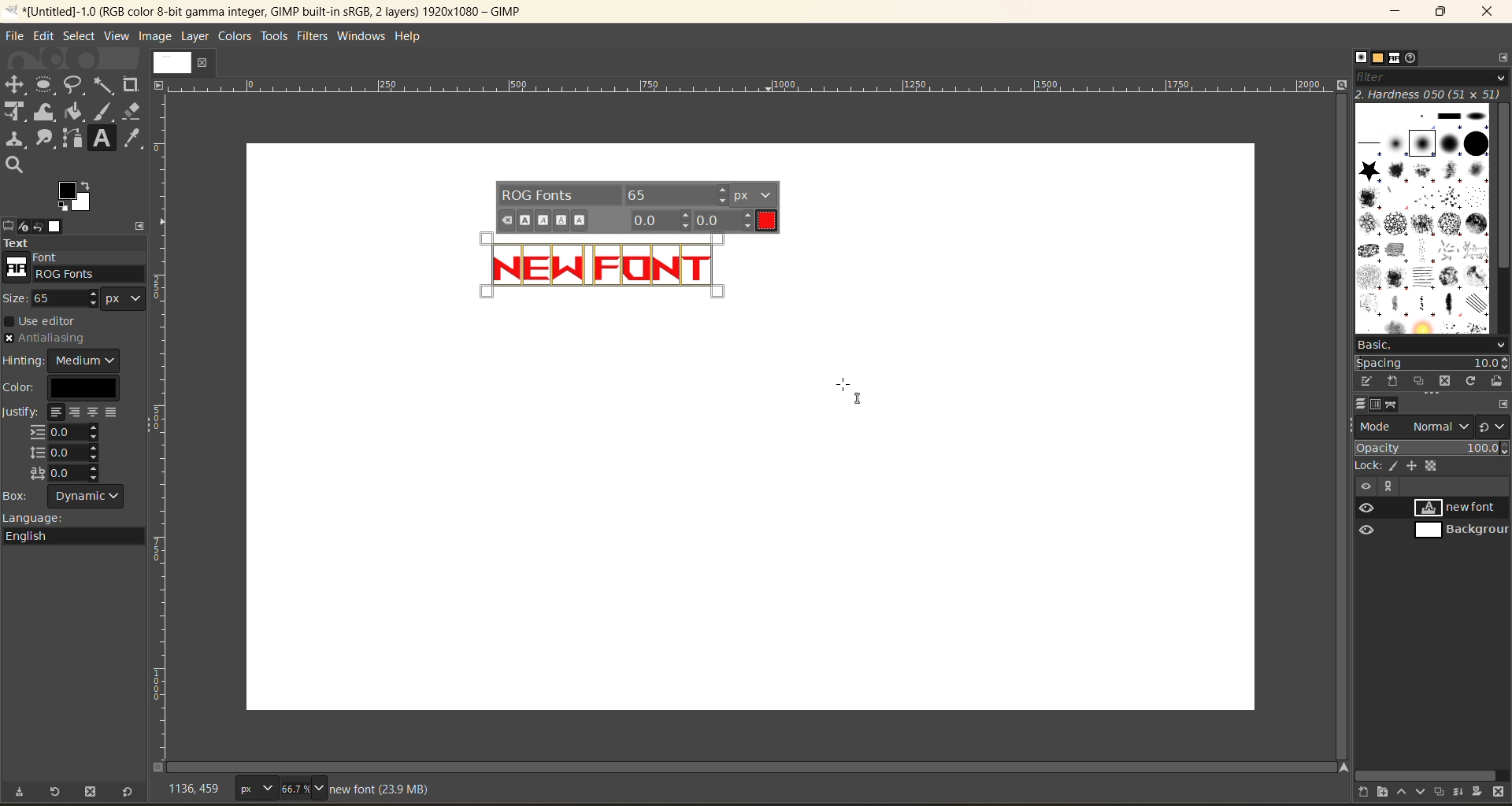 The width and height of the screenshot is (1512, 806). I want to click on reset, so click(132, 790).